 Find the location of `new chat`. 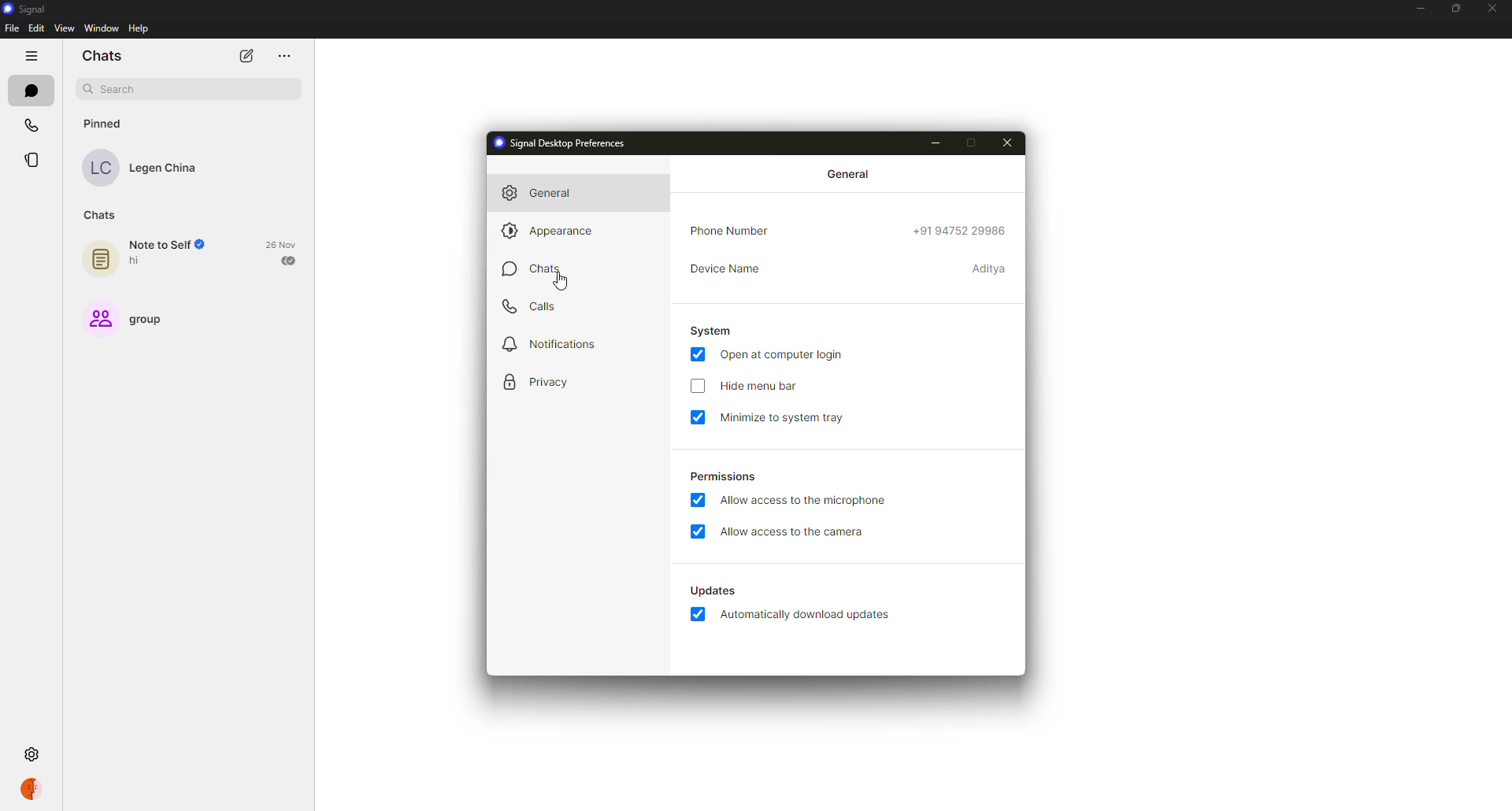

new chat is located at coordinates (246, 57).